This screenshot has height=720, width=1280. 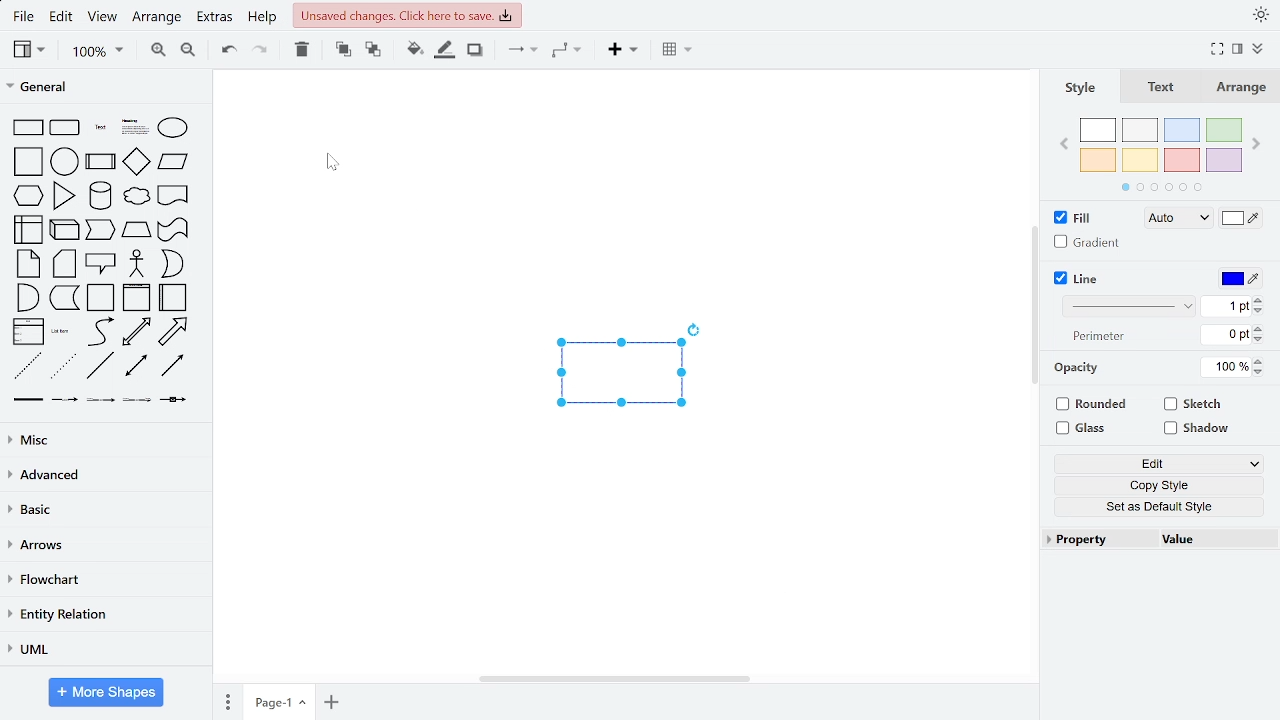 I want to click on zoom, so click(x=97, y=53).